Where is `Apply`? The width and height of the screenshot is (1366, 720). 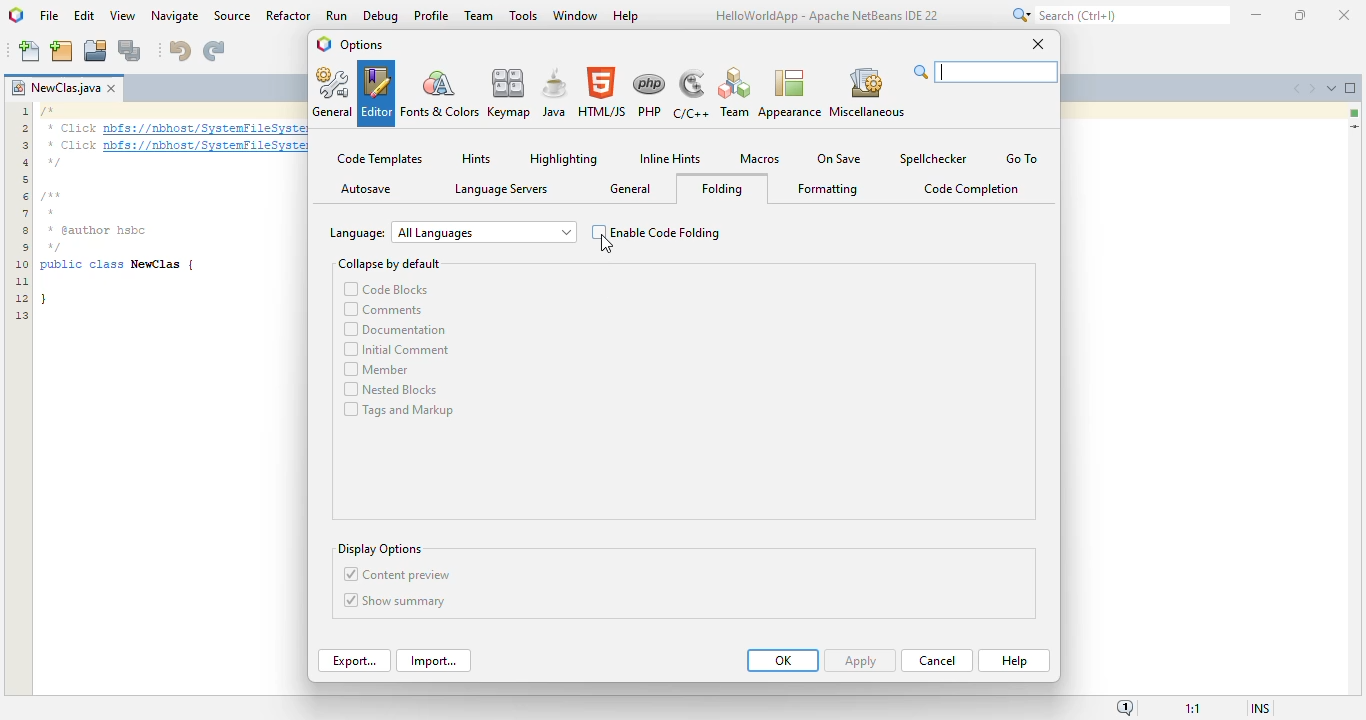
Apply is located at coordinates (861, 661).